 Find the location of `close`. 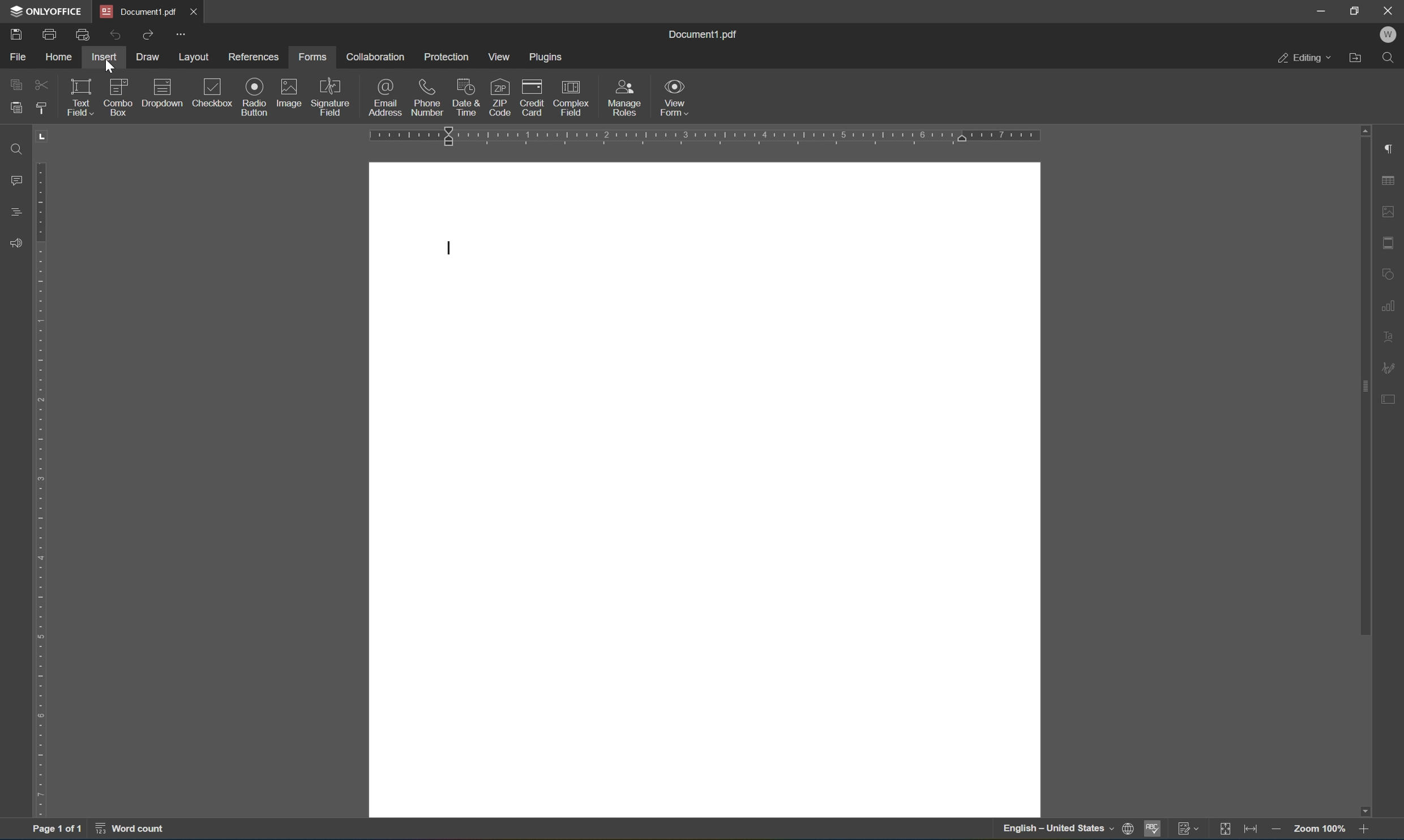

close is located at coordinates (1390, 11).